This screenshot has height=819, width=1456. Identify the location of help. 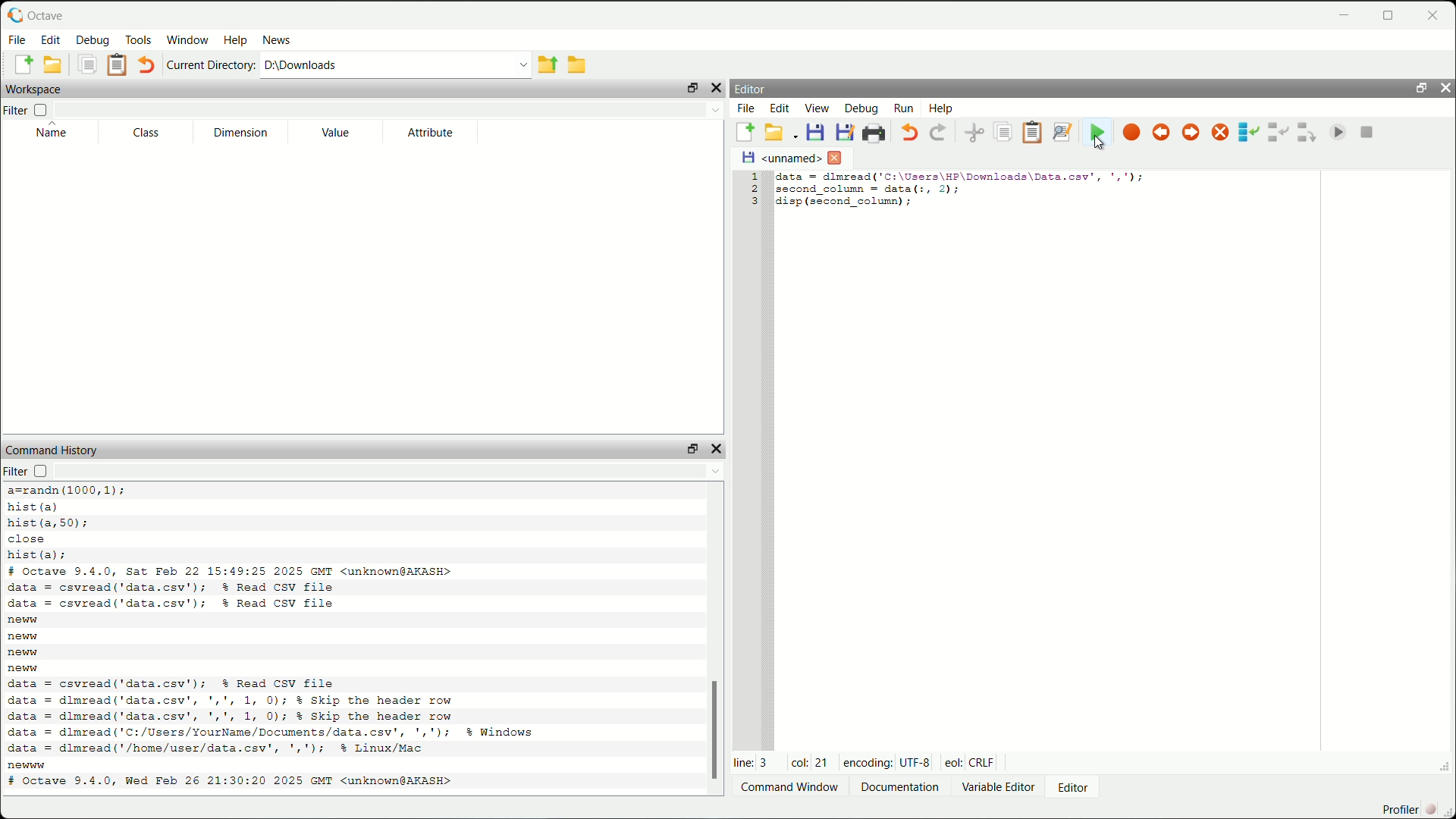
(945, 110).